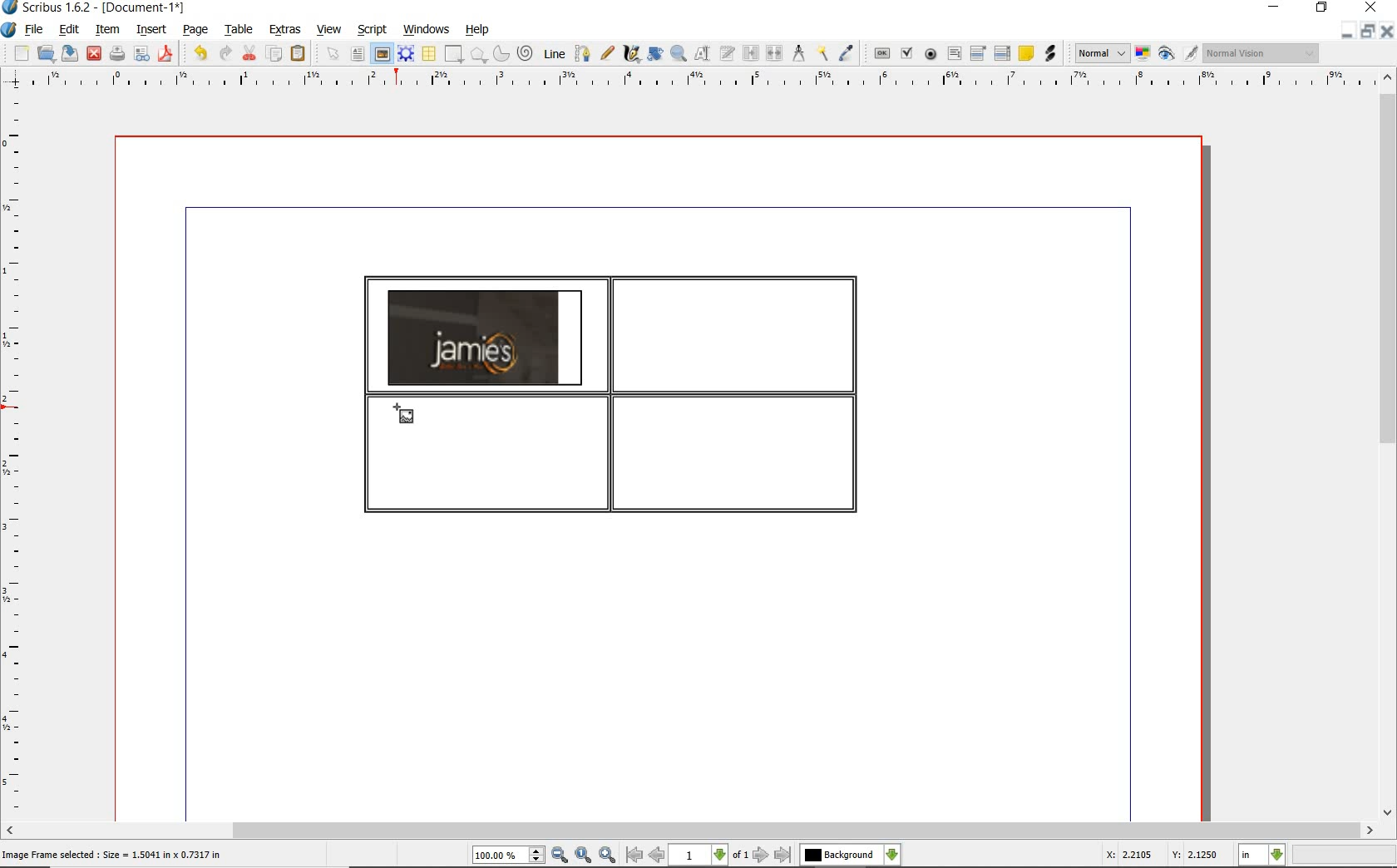 The image size is (1397, 868). What do you see at coordinates (582, 53) in the screenshot?
I see `bezier curve` at bounding box center [582, 53].